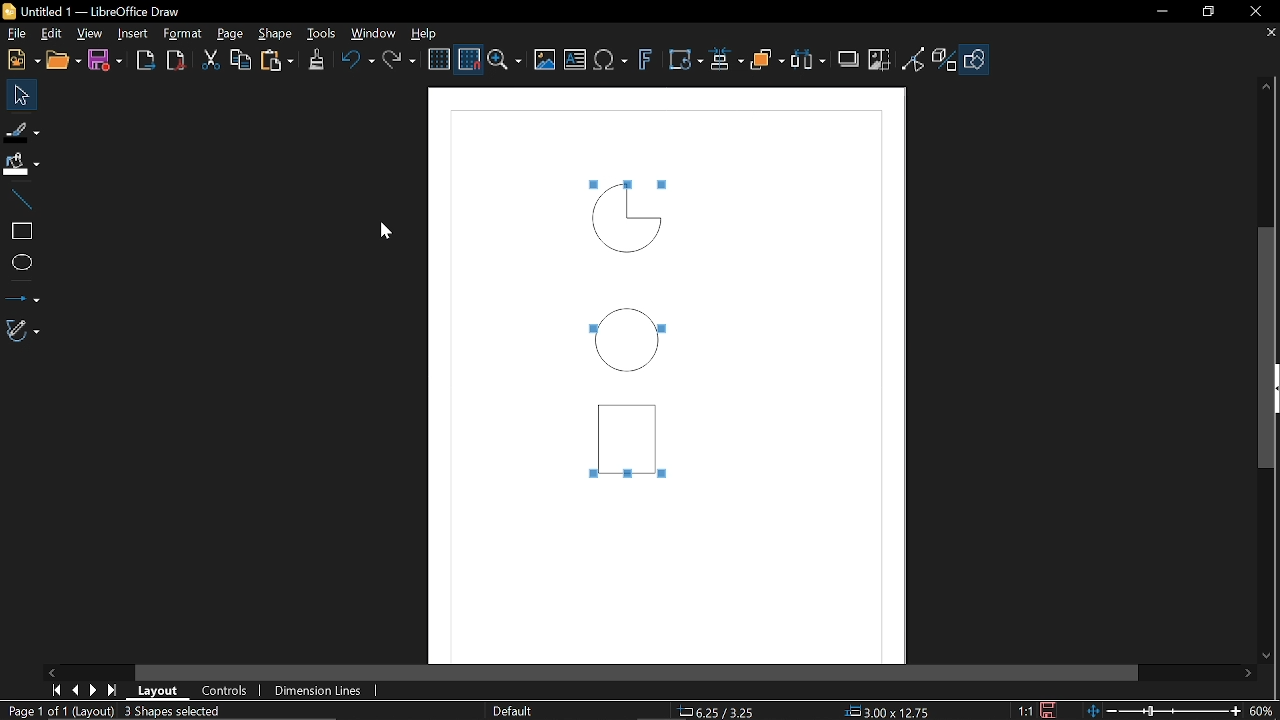  Describe the element at coordinates (638, 670) in the screenshot. I see `Horizontal scrollbar` at that location.